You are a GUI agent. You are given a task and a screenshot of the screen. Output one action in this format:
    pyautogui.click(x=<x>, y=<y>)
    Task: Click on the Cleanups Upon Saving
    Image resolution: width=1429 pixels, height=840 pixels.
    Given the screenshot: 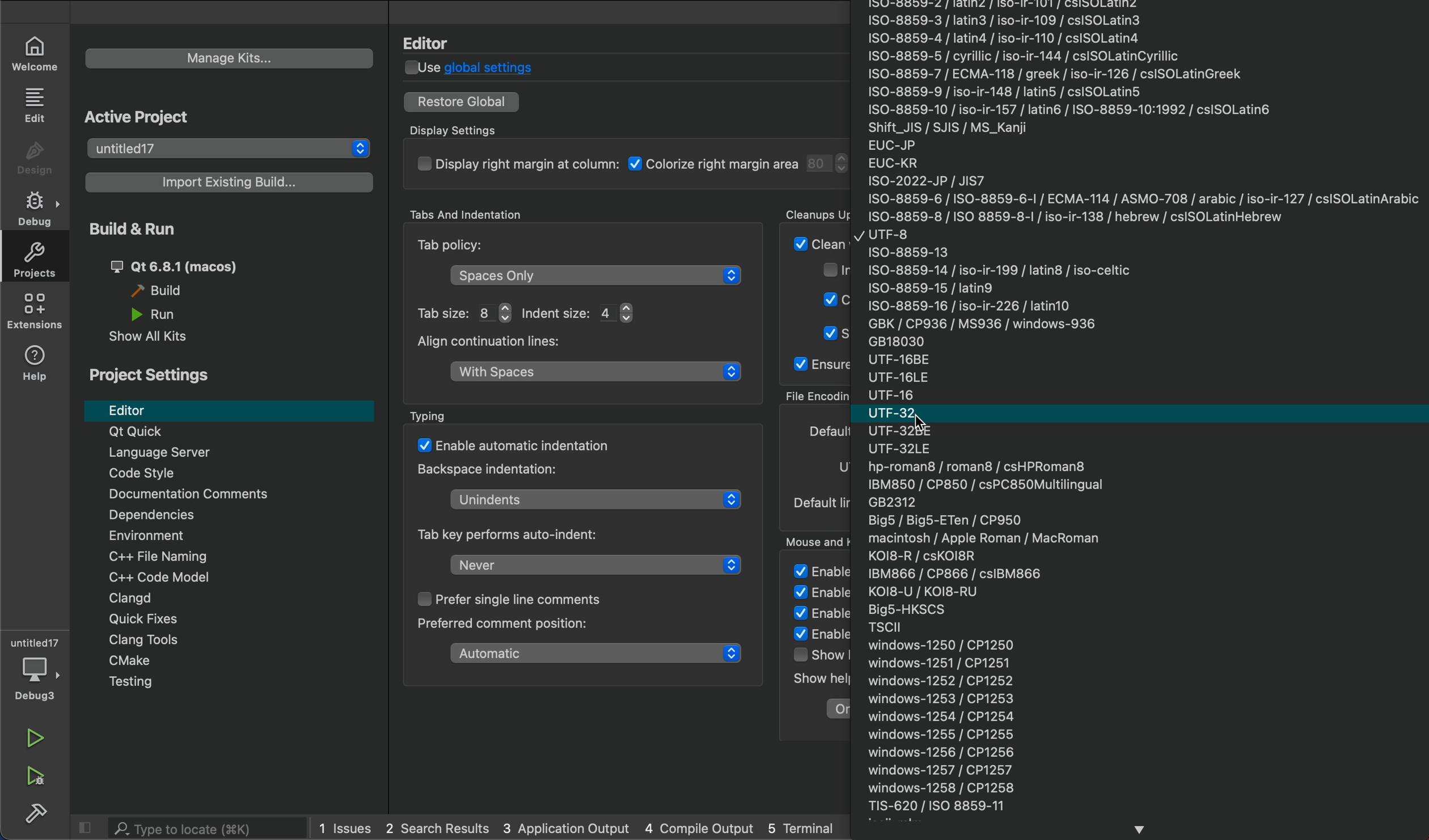 What is the action you would take?
    pyautogui.click(x=814, y=213)
    